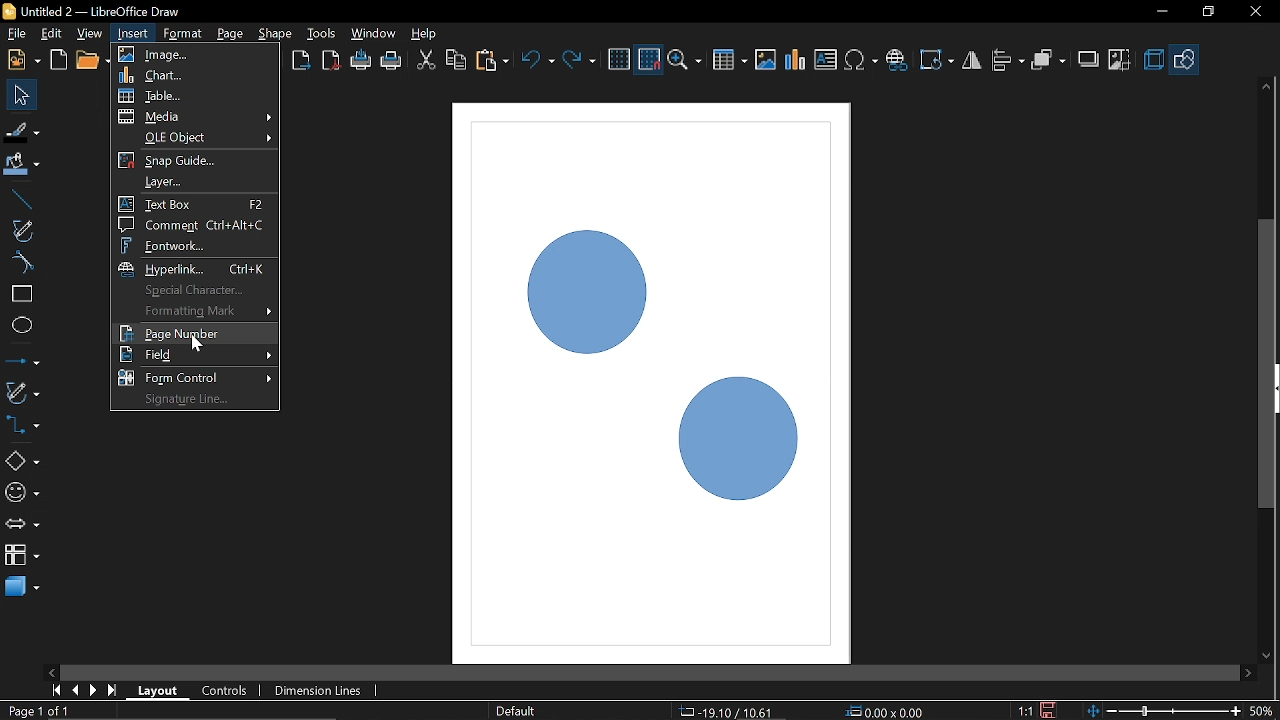  I want to click on Zoom, so click(687, 61).